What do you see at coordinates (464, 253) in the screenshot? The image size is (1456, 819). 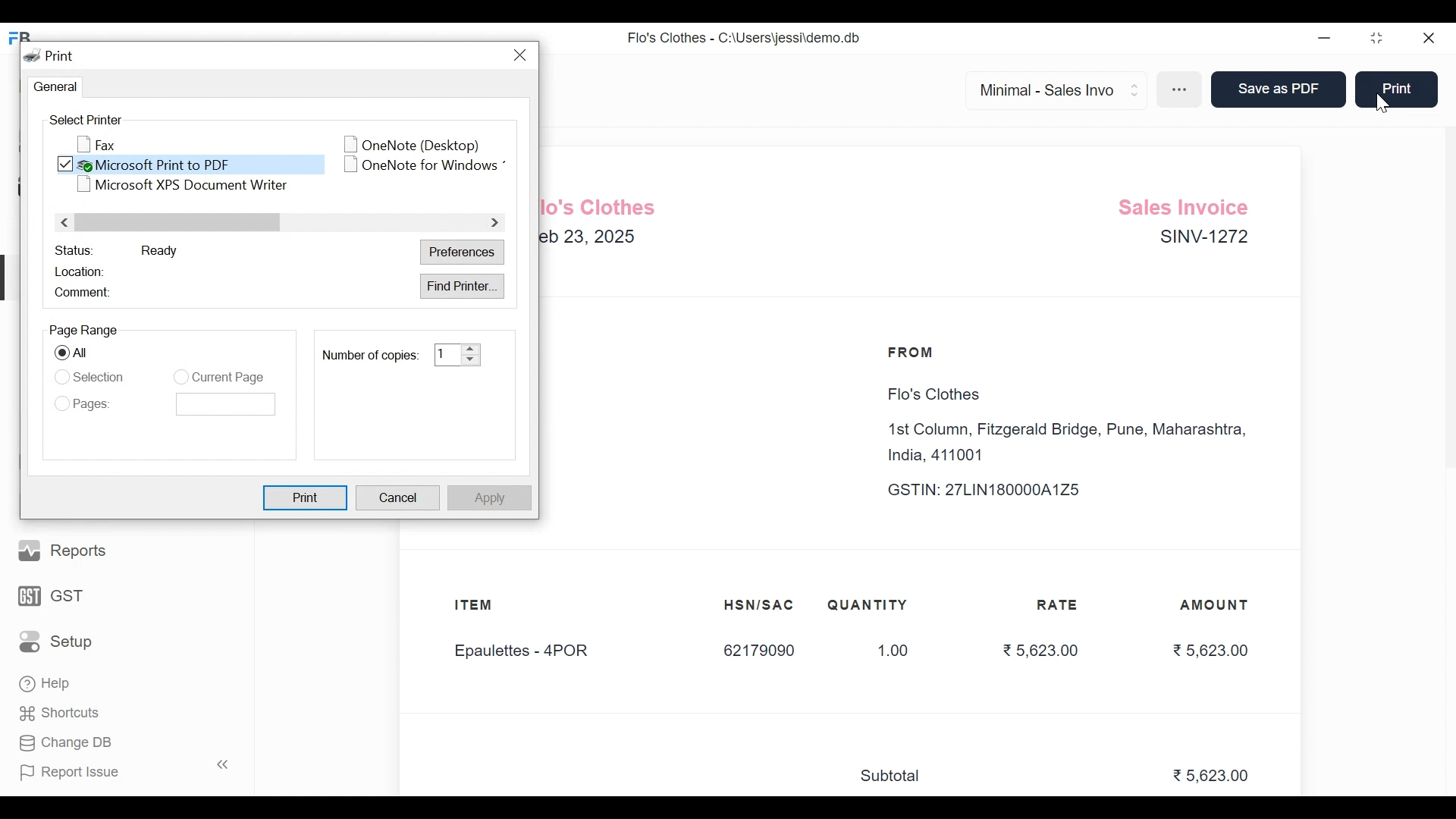 I see `Preferences` at bounding box center [464, 253].